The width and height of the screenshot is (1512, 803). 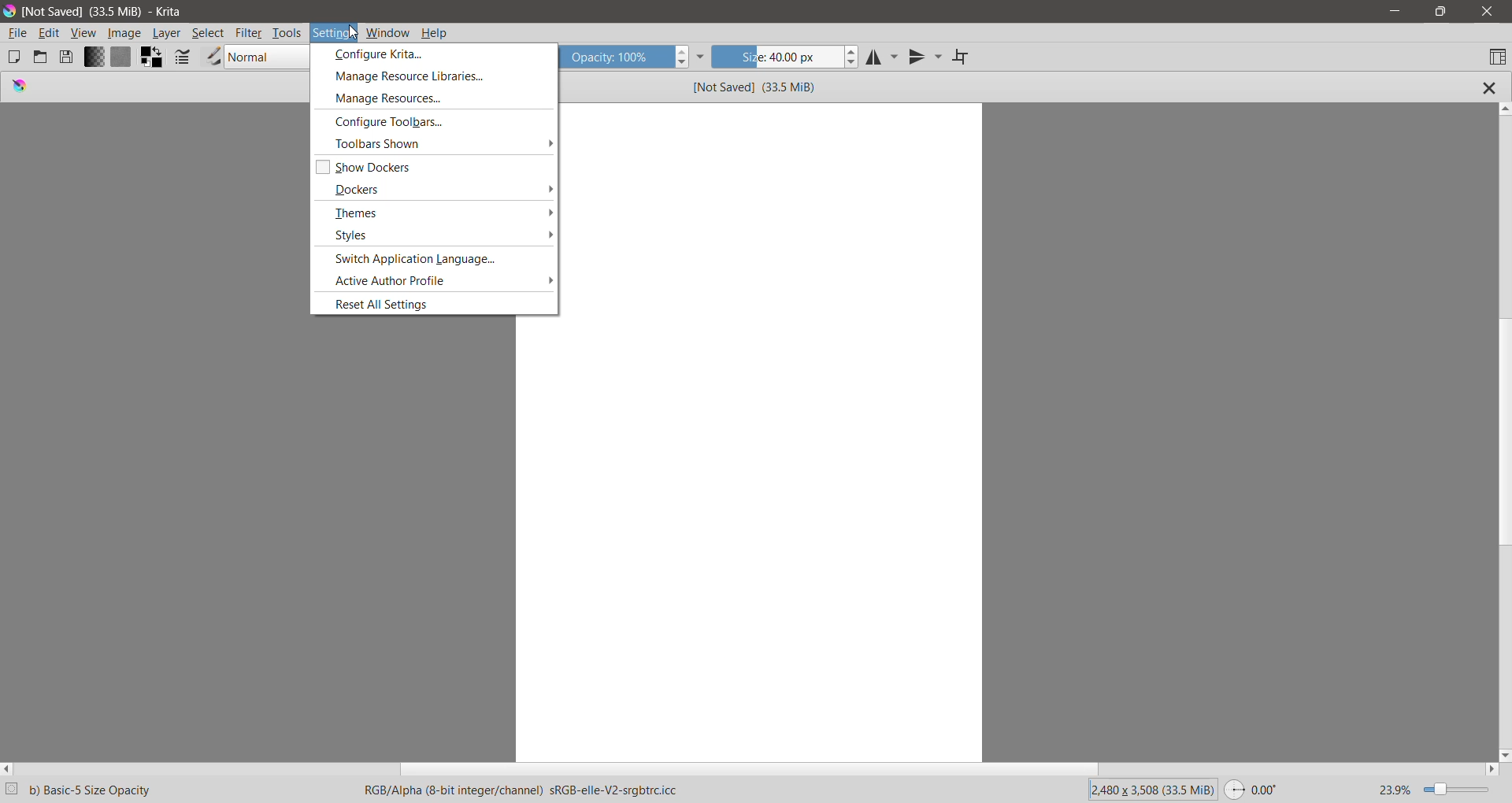 What do you see at coordinates (272, 57) in the screenshot?
I see `Blending Mode` at bounding box center [272, 57].